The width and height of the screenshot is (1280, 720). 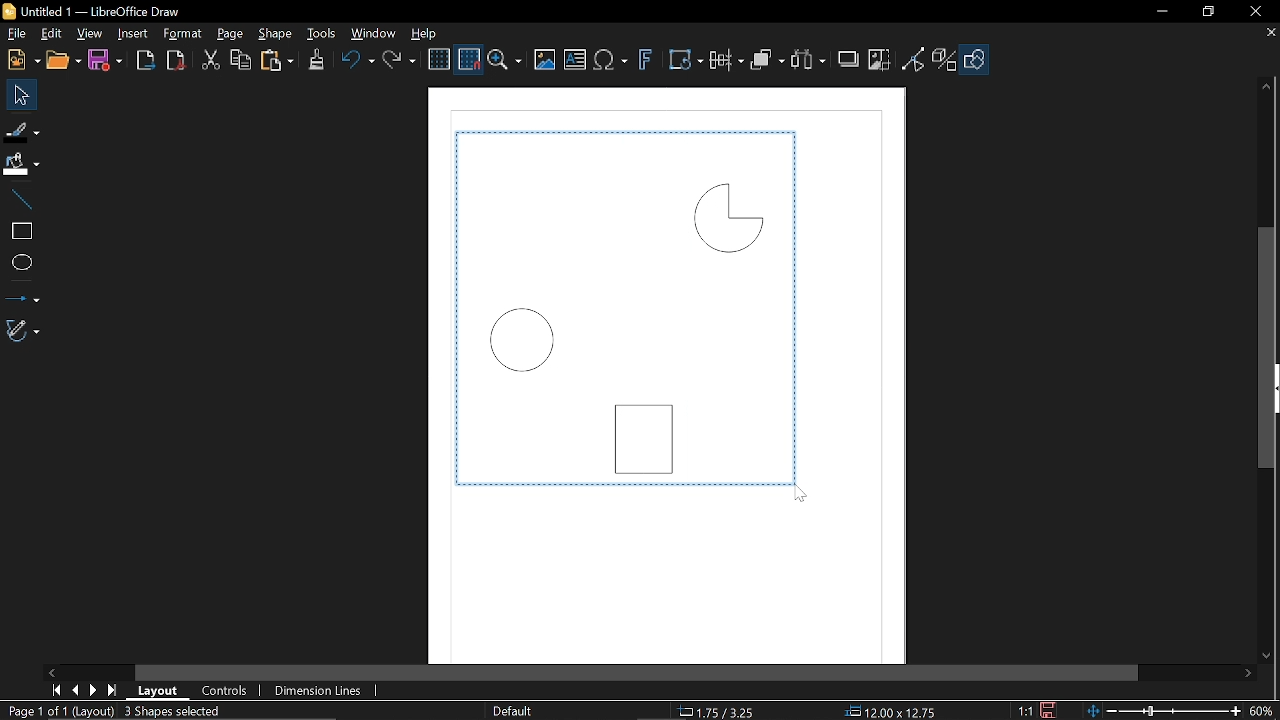 I want to click on Insert image, so click(x=545, y=60).